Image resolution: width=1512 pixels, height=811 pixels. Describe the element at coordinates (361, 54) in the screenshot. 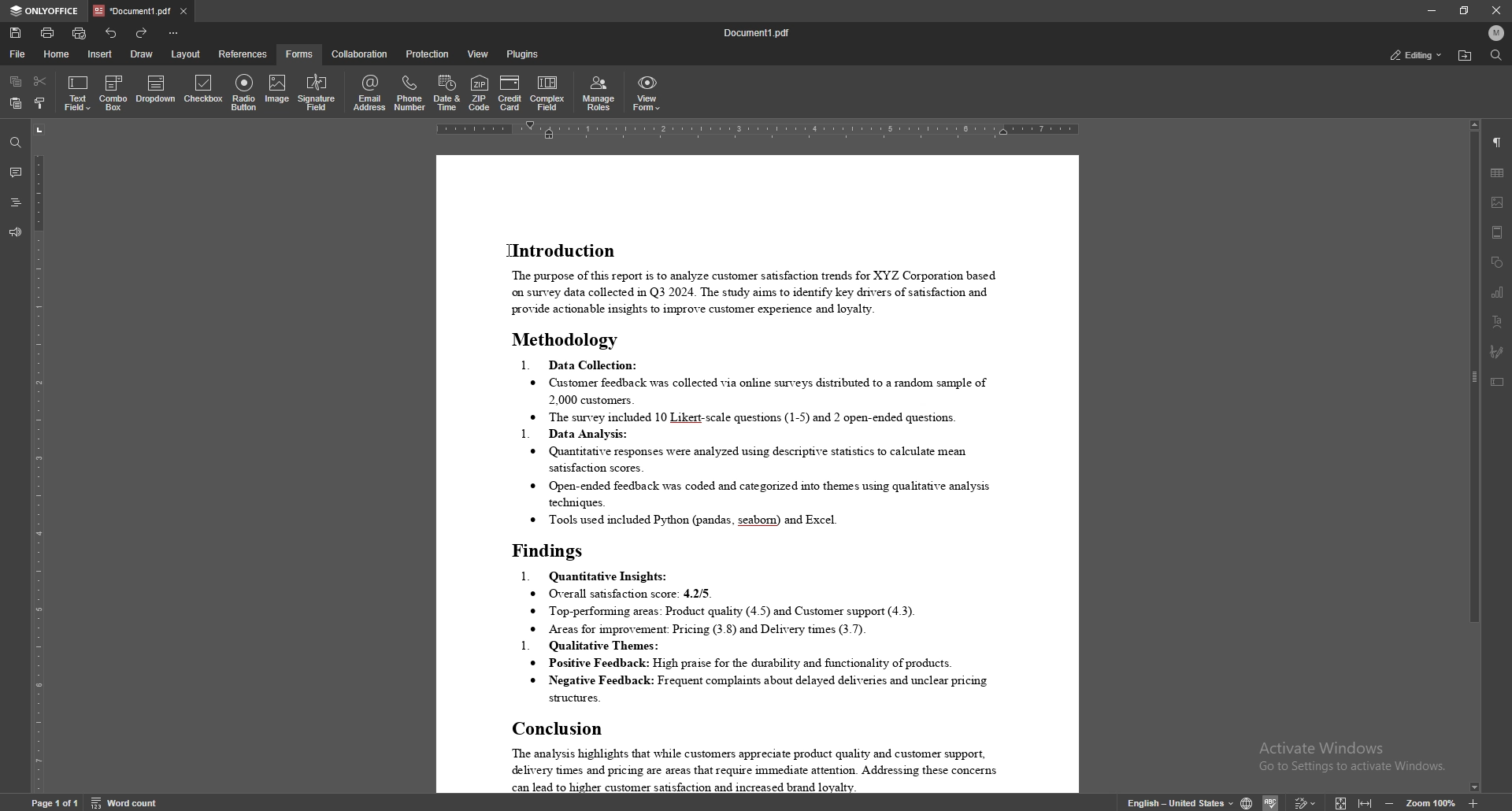

I see `collaboration` at that location.